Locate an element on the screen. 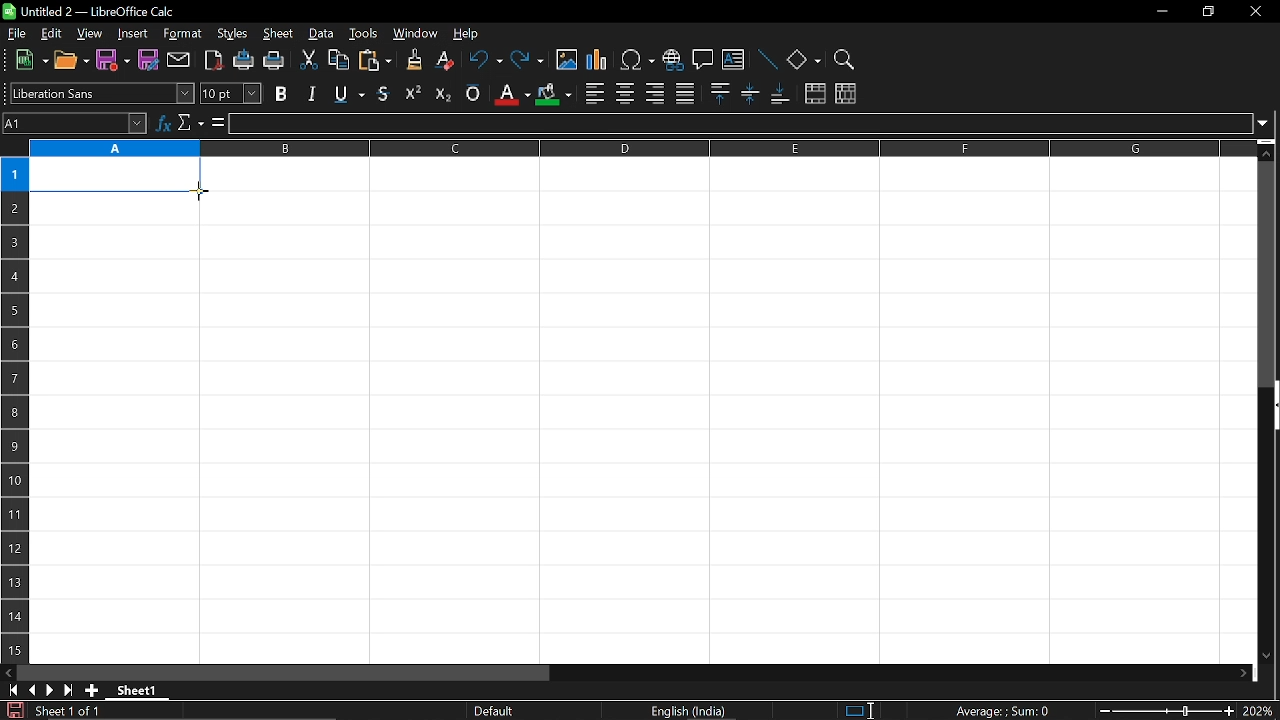 The image size is (1280, 720). redo is located at coordinates (528, 61).